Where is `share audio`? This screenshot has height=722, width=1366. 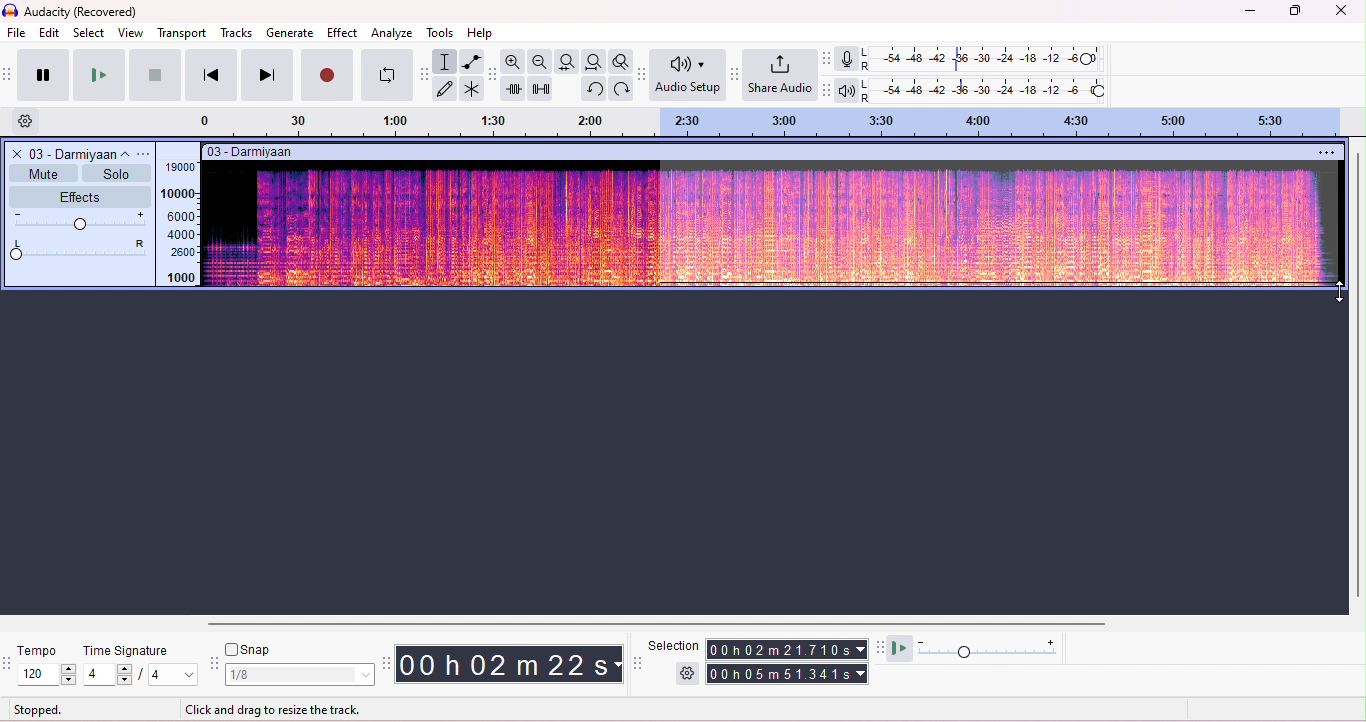 share audio is located at coordinates (782, 76).